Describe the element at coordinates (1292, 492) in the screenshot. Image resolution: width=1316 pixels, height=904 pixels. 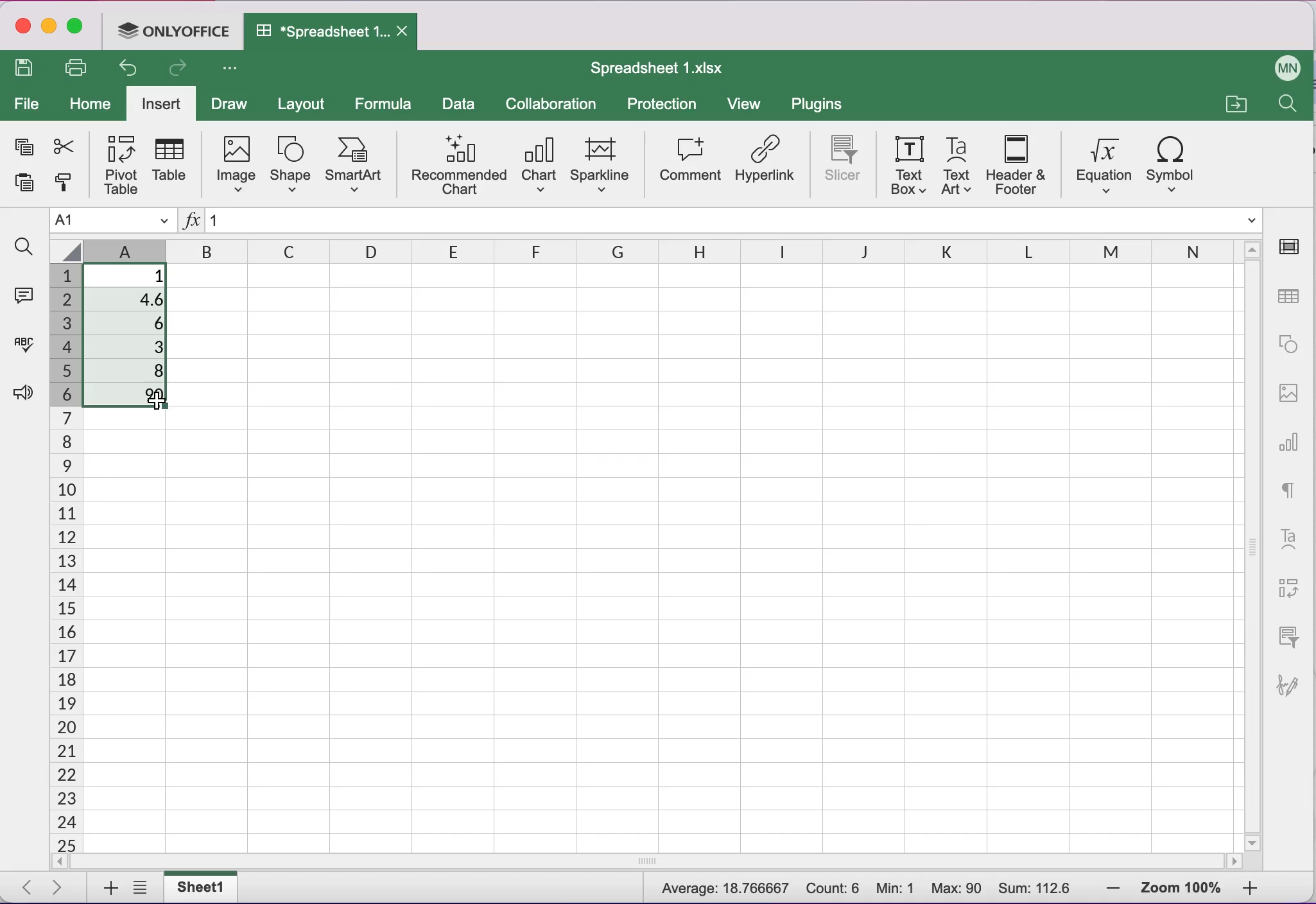
I see `text` at that location.